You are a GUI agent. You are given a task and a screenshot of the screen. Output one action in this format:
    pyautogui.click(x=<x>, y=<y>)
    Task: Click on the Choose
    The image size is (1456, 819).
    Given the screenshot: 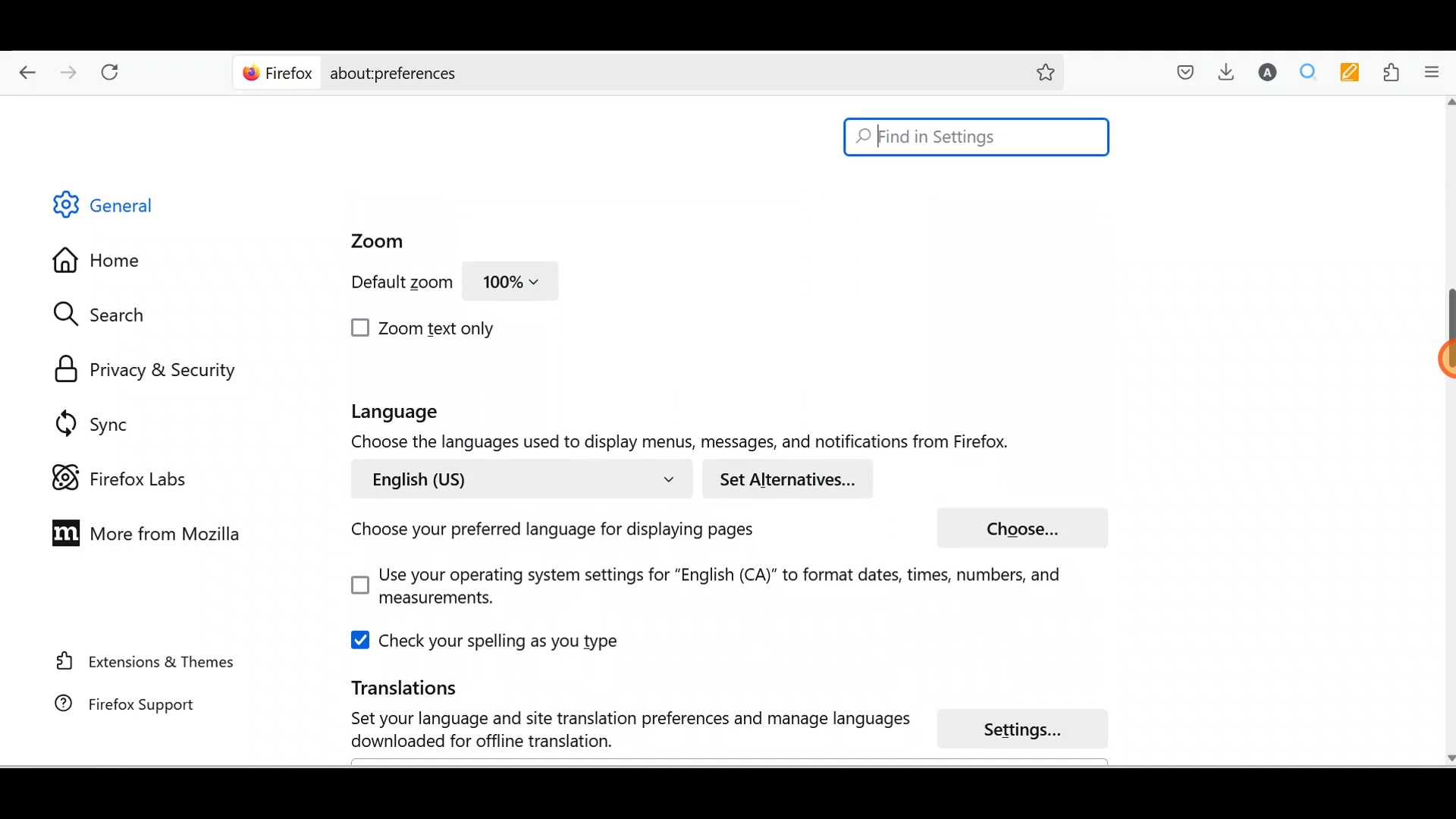 What is the action you would take?
    pyautogui.click(x=1021, y=526)
    